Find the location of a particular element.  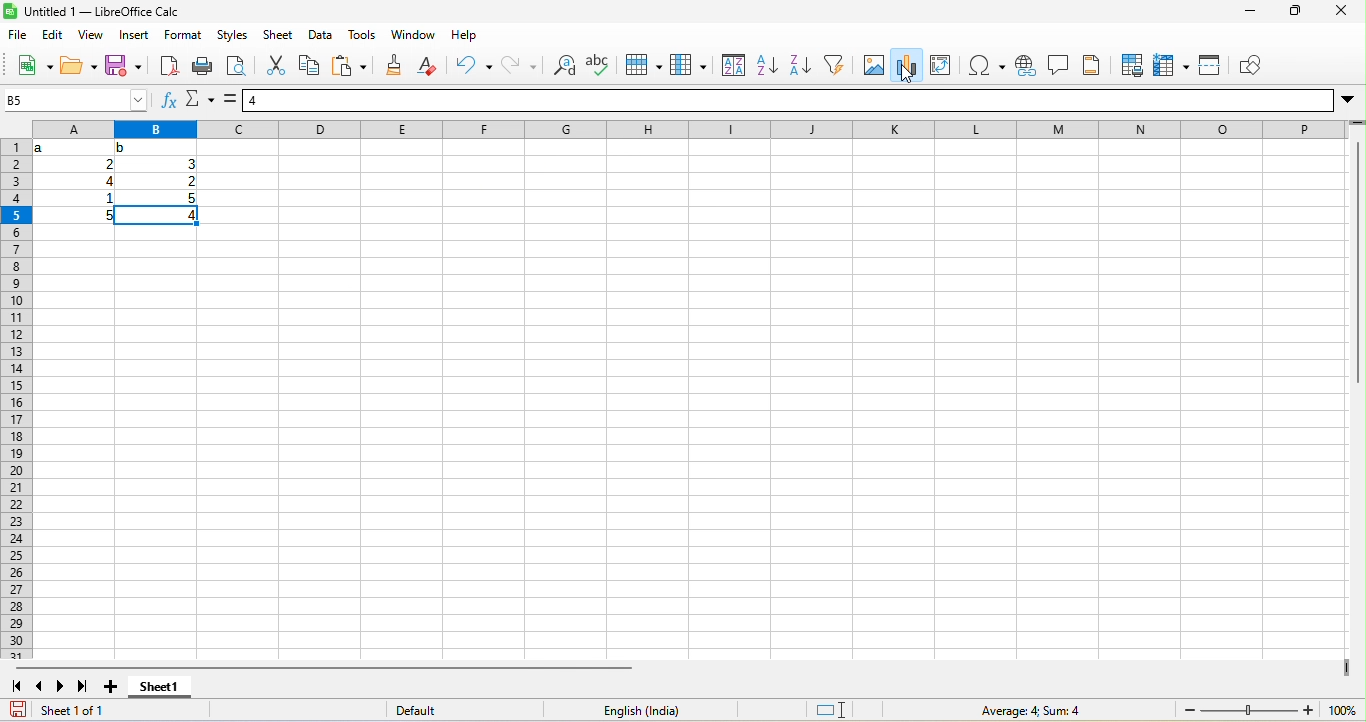

window is located at coordinates (414, 35).